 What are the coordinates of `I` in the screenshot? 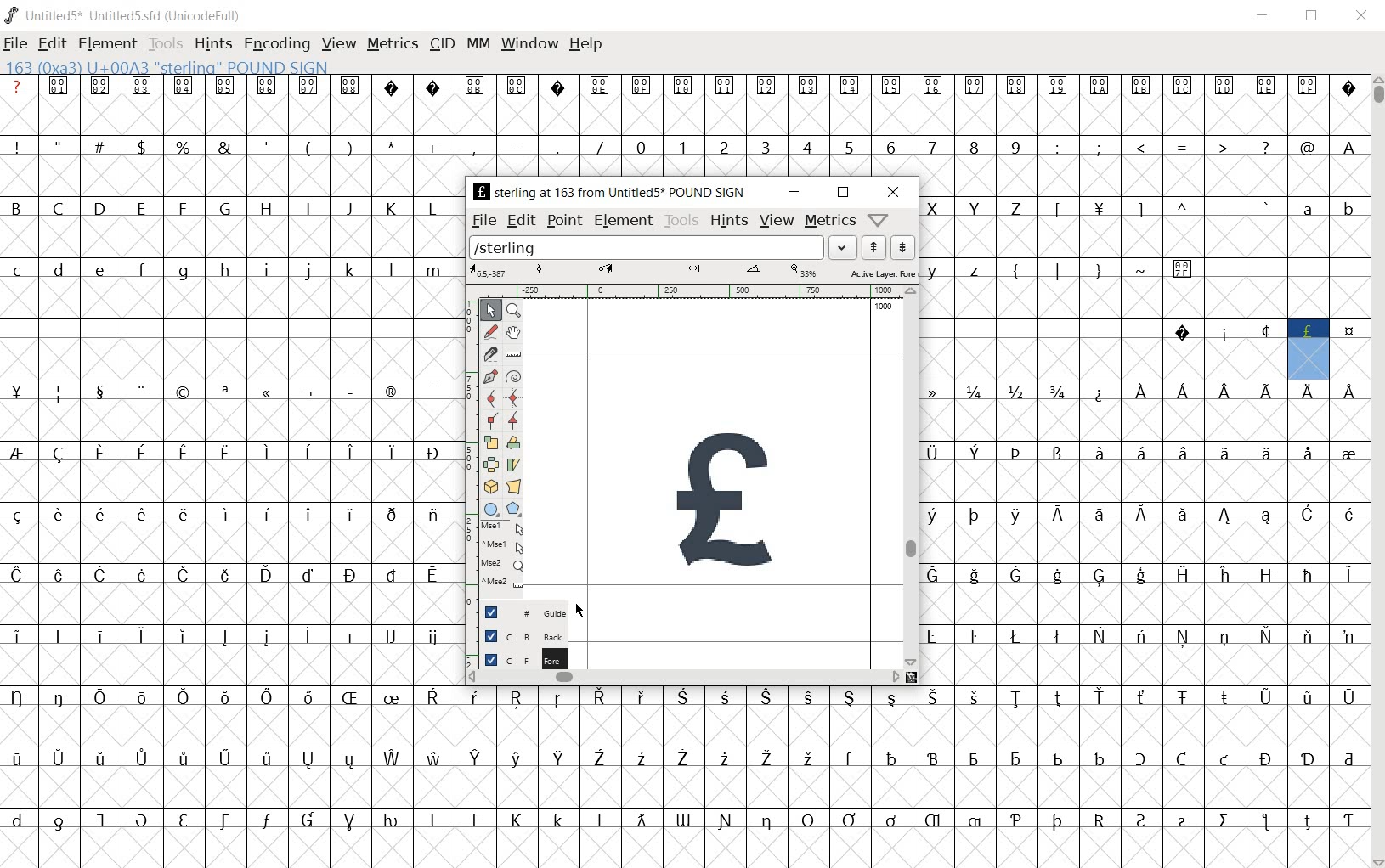 It's located at (308, 209).